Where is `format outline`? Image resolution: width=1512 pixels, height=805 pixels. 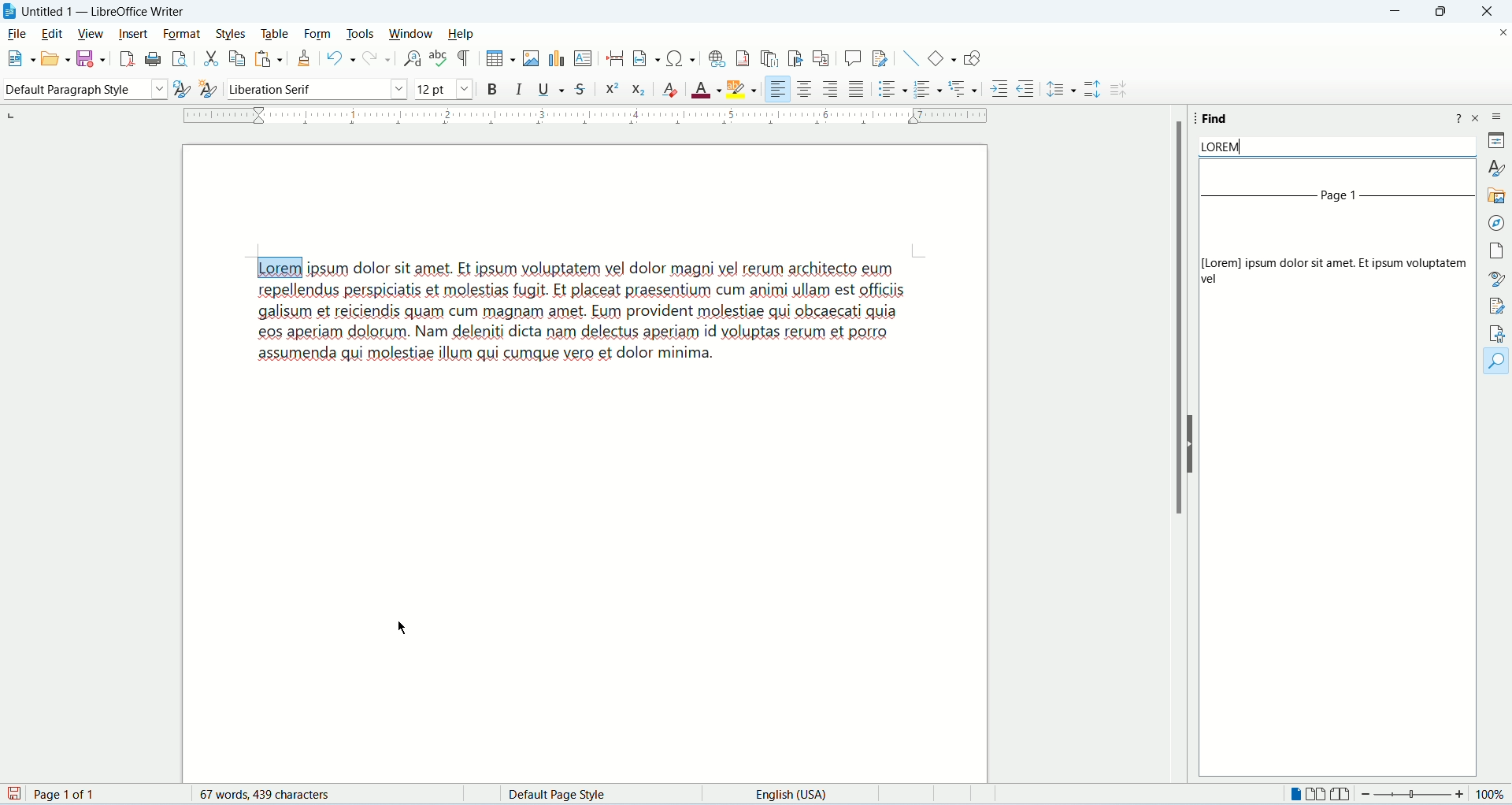 format outline is located at coordinates (965, 91).